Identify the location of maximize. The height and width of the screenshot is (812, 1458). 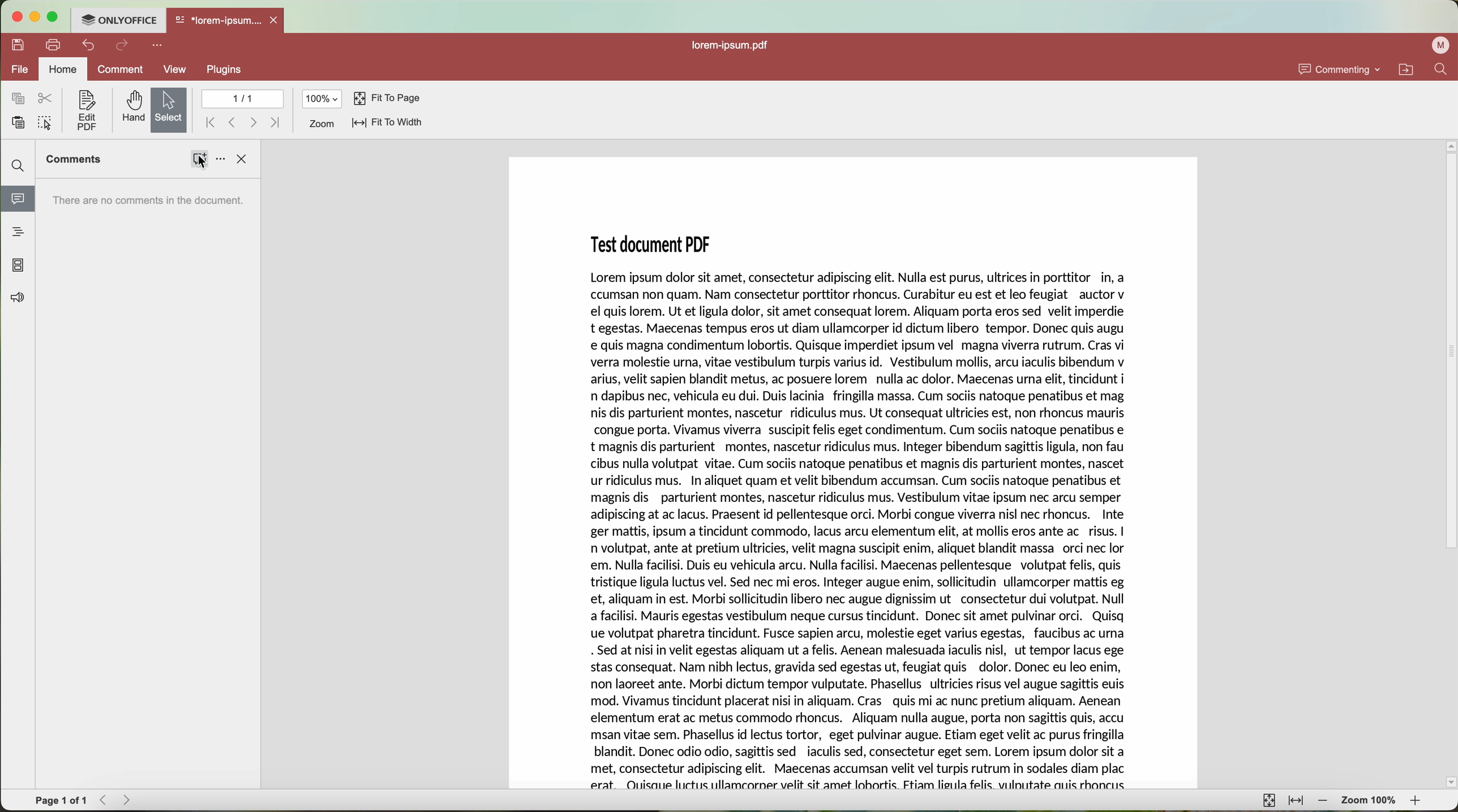
(53, 18).